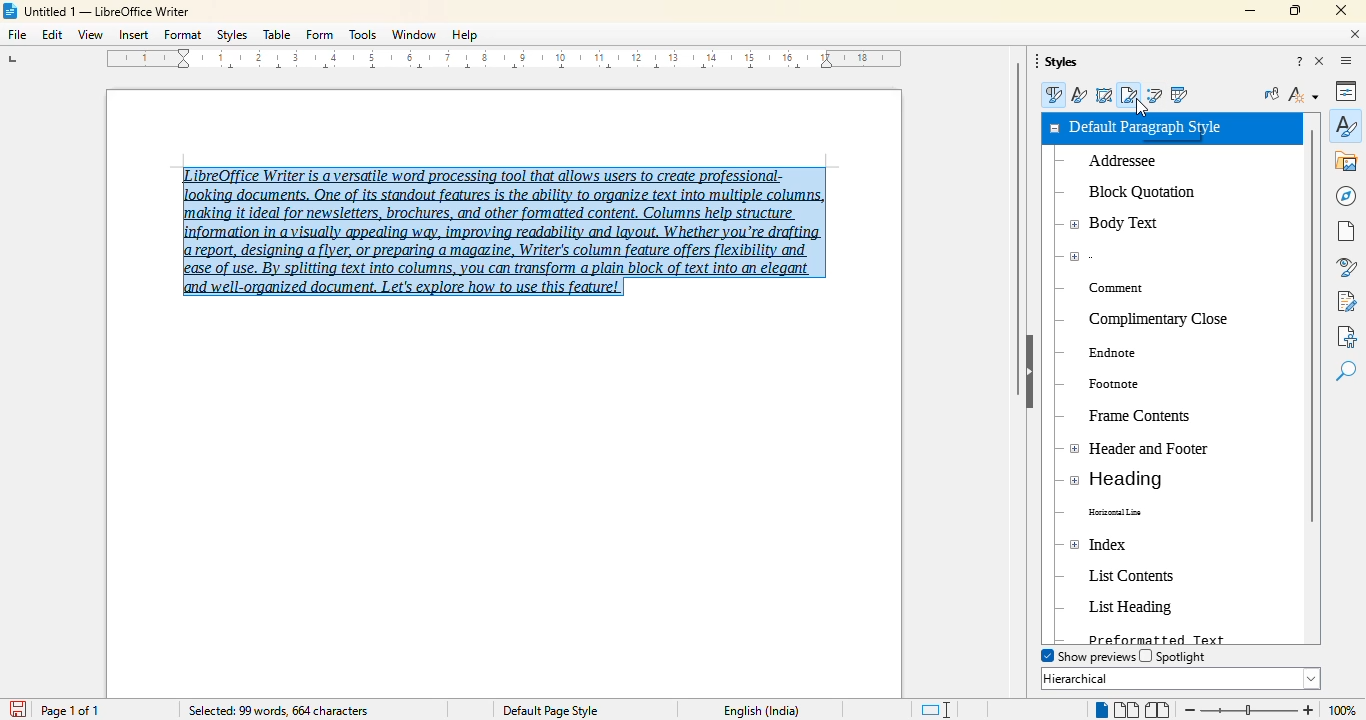 This screenshot has height=720, width=1366. What do you see at coordinates (1346, 196) in the screenshot?
I see `navigator` at bounding box center [1346, 196].